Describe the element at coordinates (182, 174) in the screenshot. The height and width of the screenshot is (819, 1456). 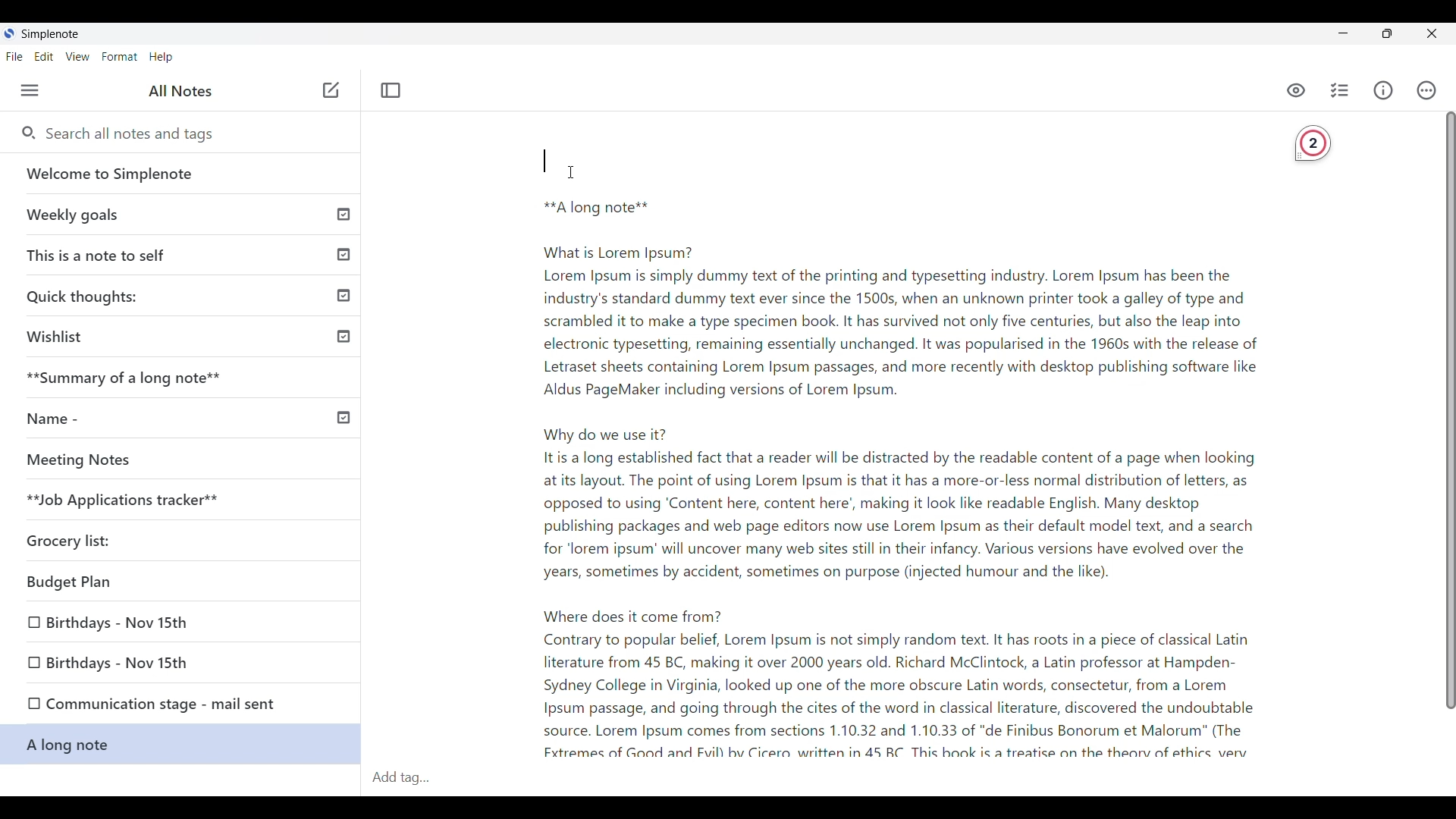
I see `Welcome to Simplenote` at that location.